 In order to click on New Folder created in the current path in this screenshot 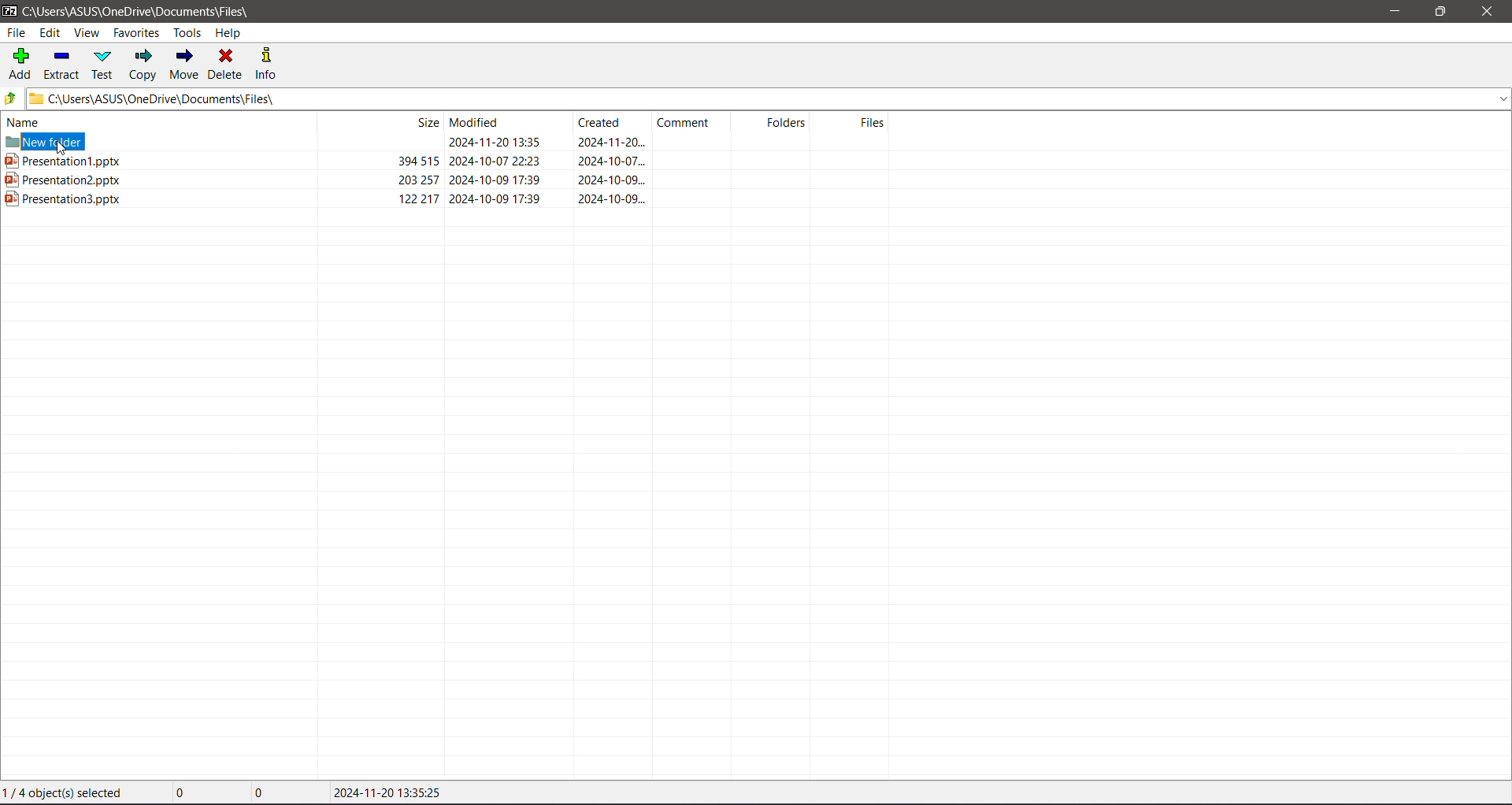, I will do `click(447, 144)`.